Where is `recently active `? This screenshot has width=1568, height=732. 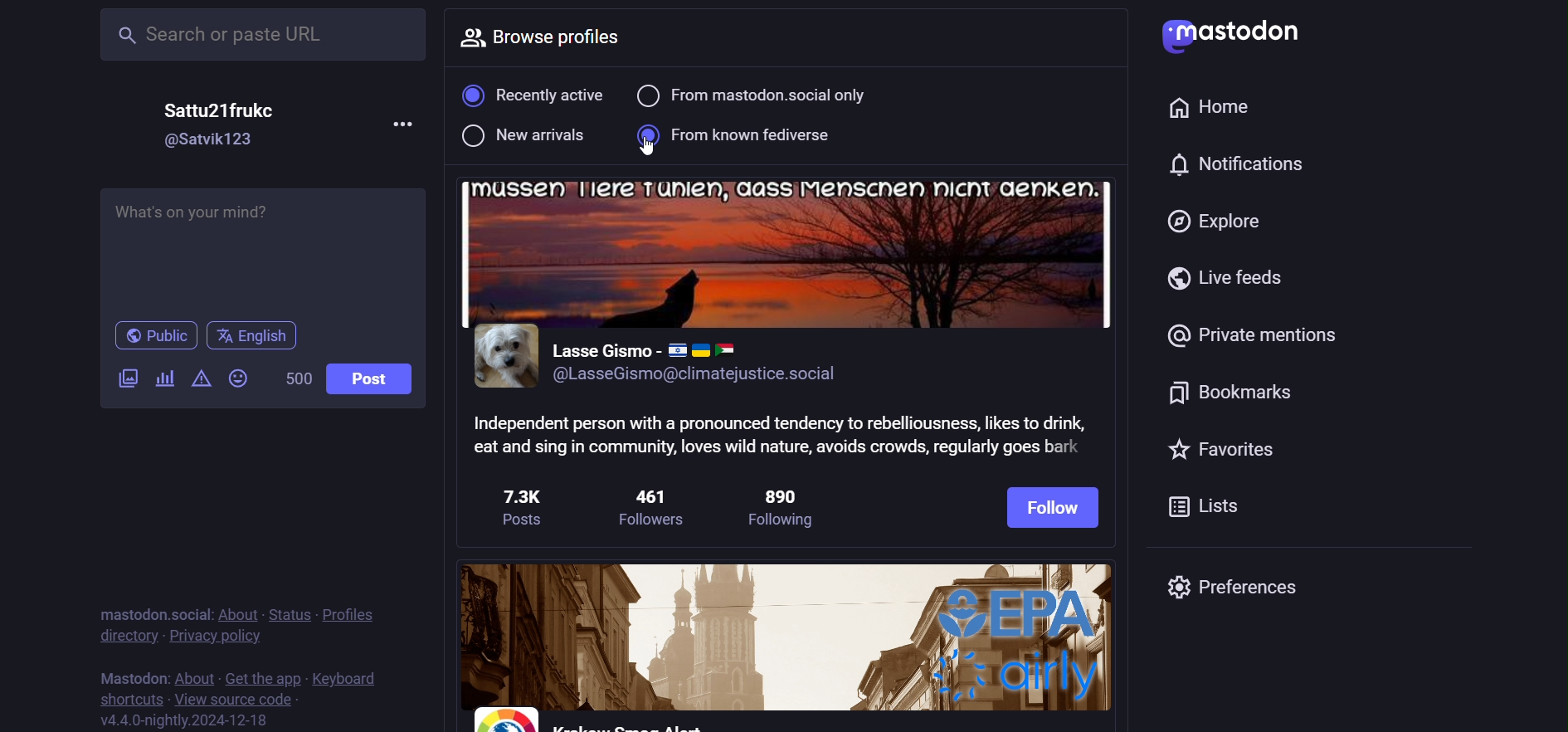
recently active  is located at coordinates (534, 97).